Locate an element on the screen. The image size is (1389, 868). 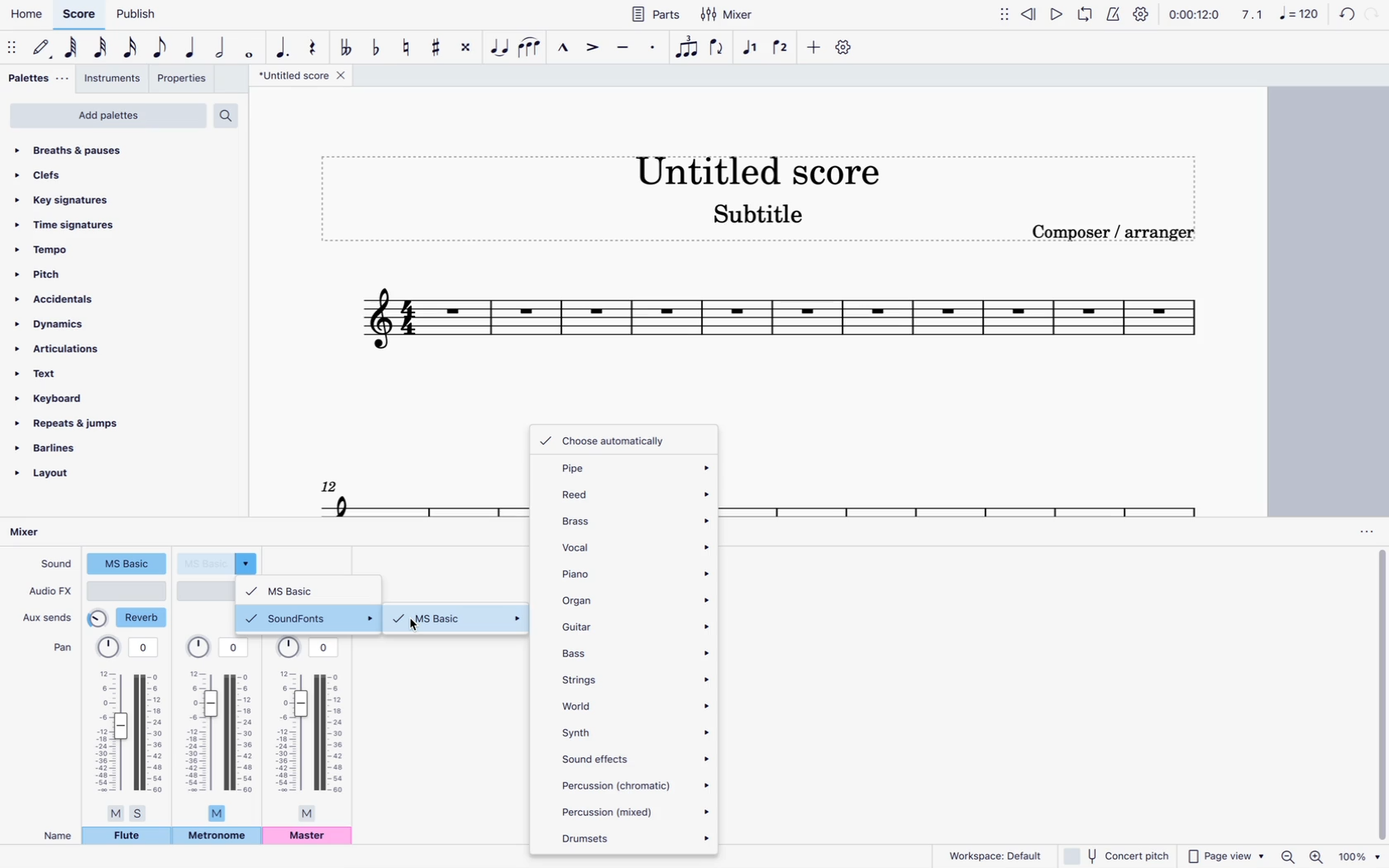
time signatures is located at coordinates (103, 222).